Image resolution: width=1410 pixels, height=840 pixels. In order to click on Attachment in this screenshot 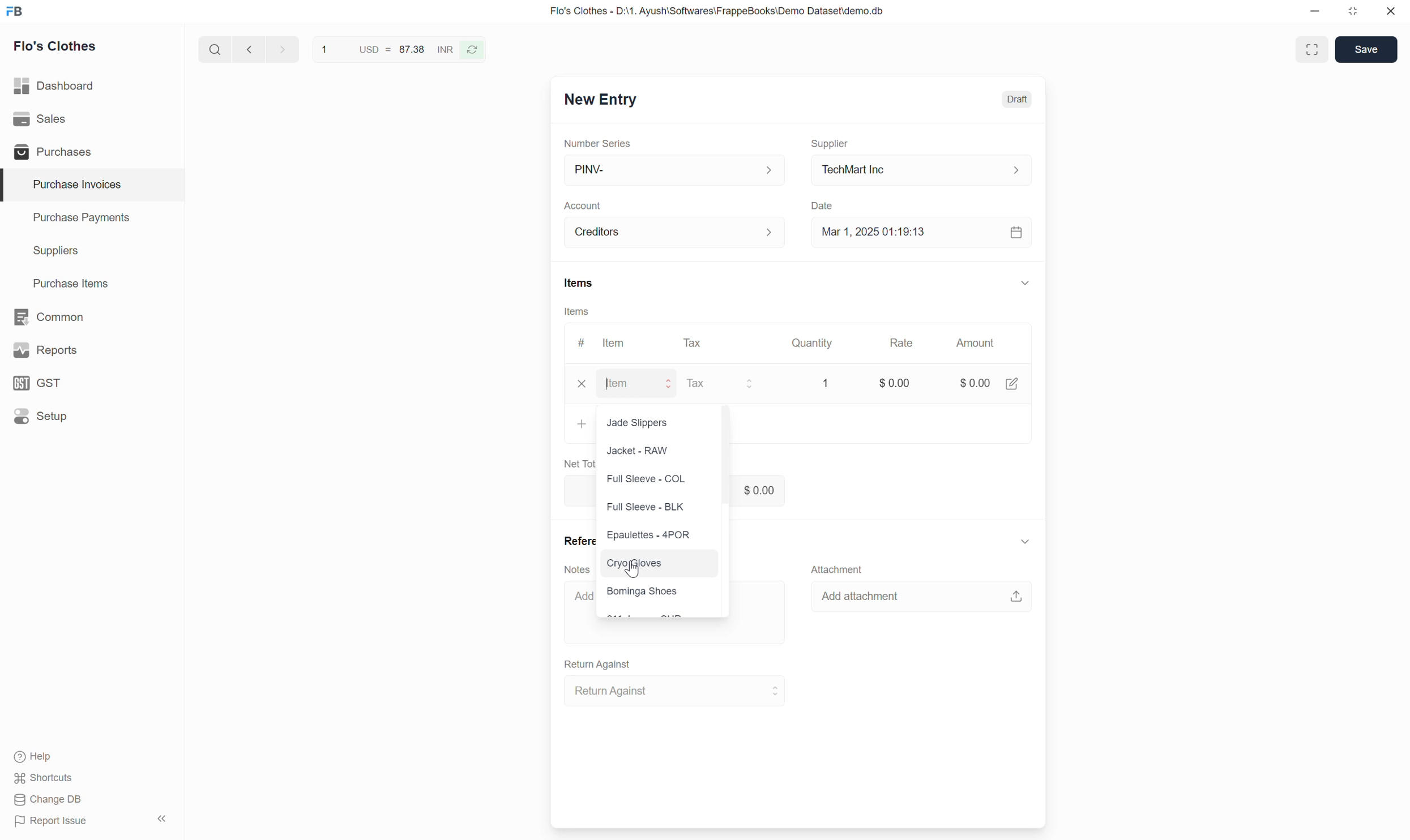, I will do `click(838, 567)`.